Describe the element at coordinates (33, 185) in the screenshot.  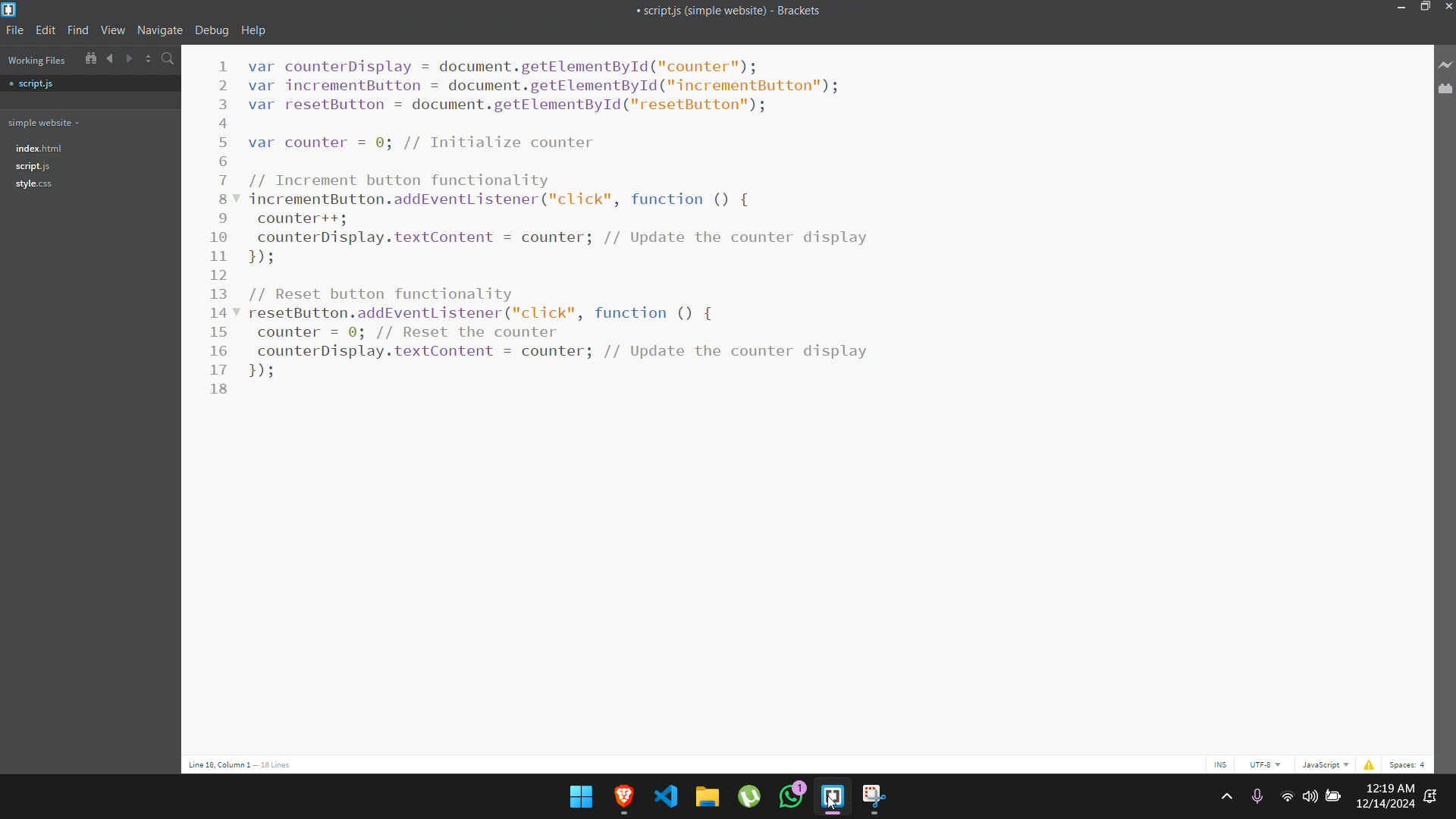
I see `style.css` at that location.